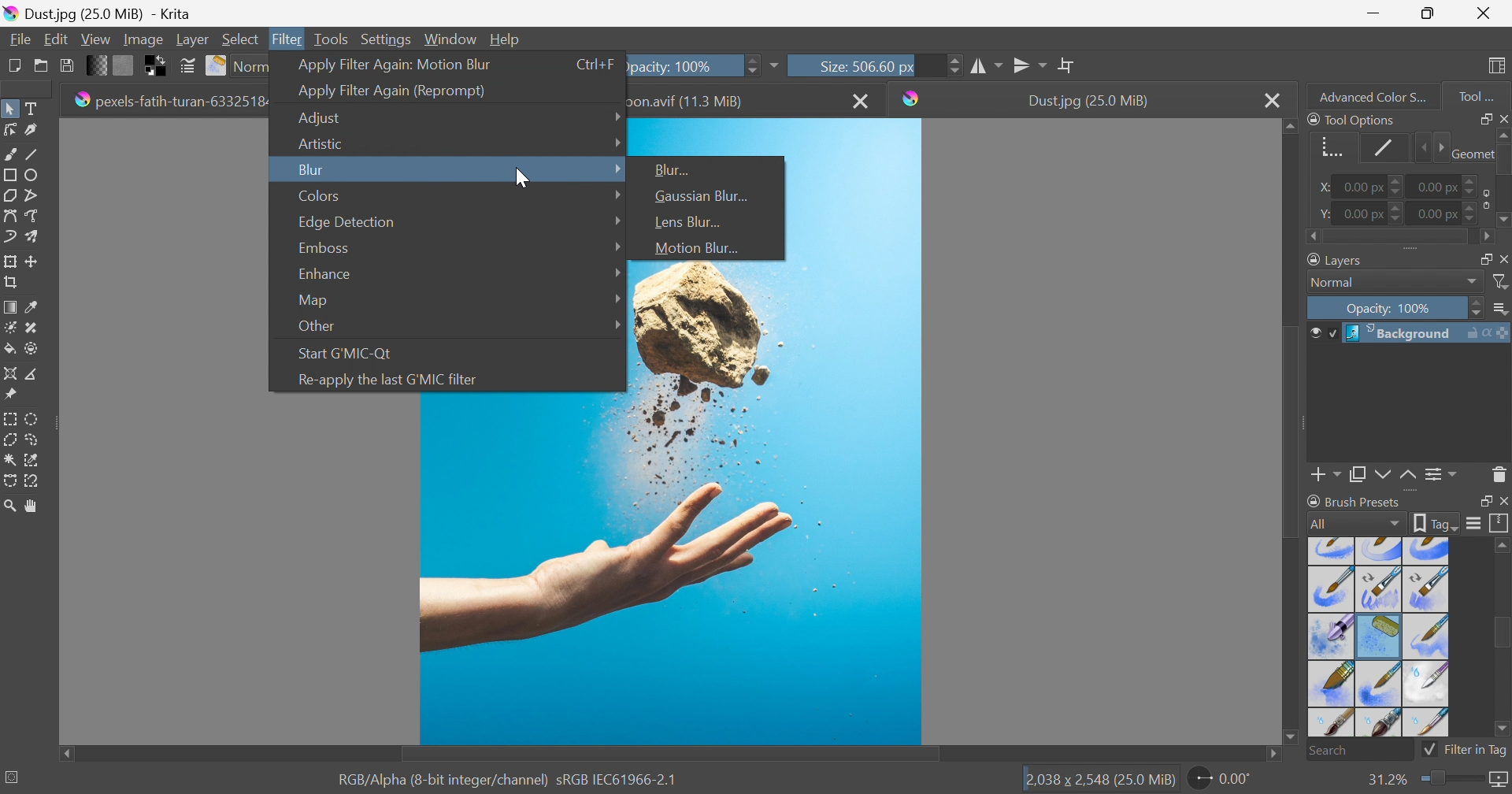 The image size is (1512, 794). I want to click on Fill a contiguous area of color with a color or a fill selection, so click(10, 350).